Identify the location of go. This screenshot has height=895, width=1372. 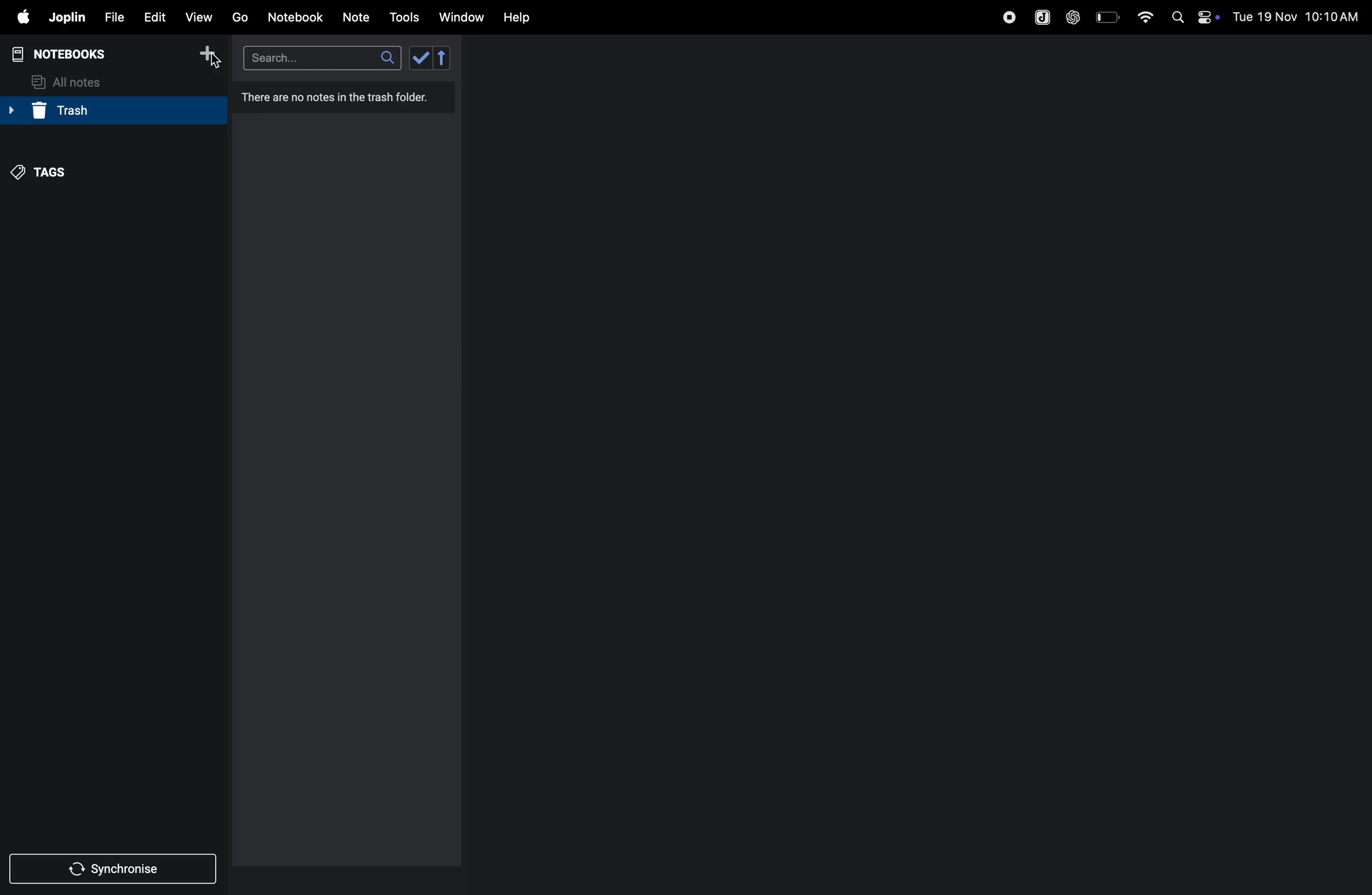
(240, 18).